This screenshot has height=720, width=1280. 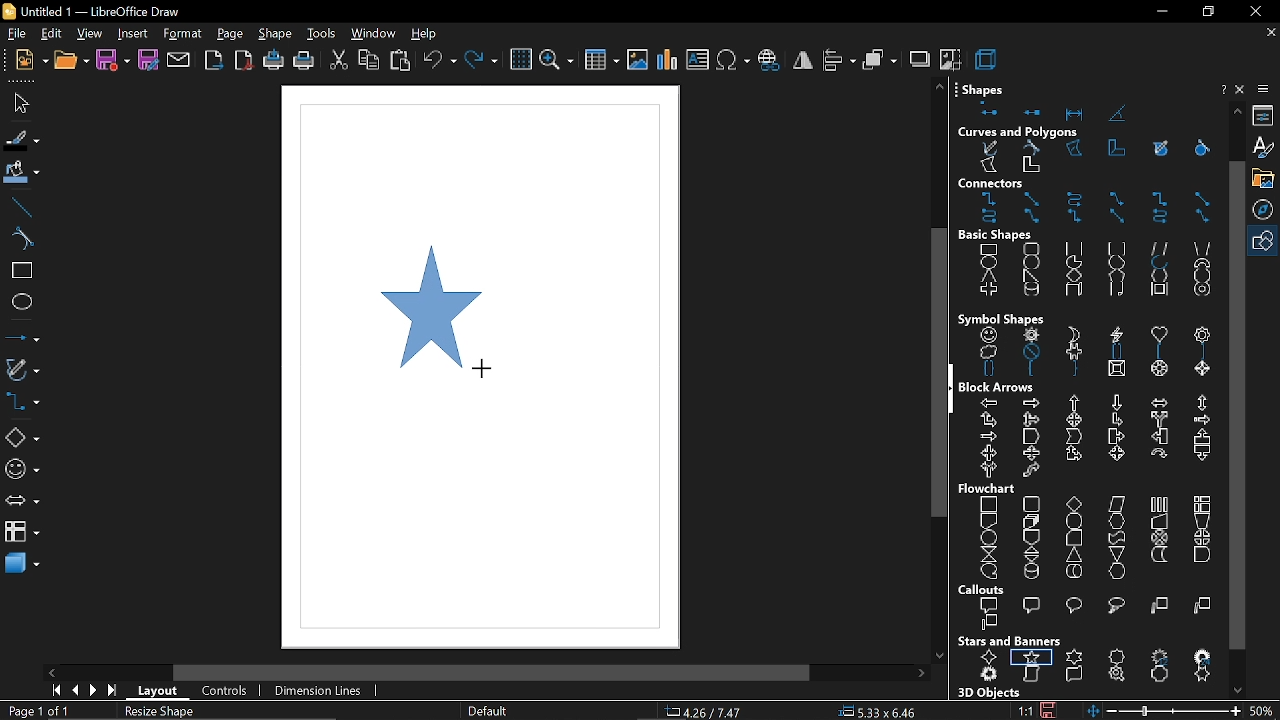 What do you see at coordinates (1266, 241) in the screenshot?
I see `basic shapes` at bounding box center [1266, 241].